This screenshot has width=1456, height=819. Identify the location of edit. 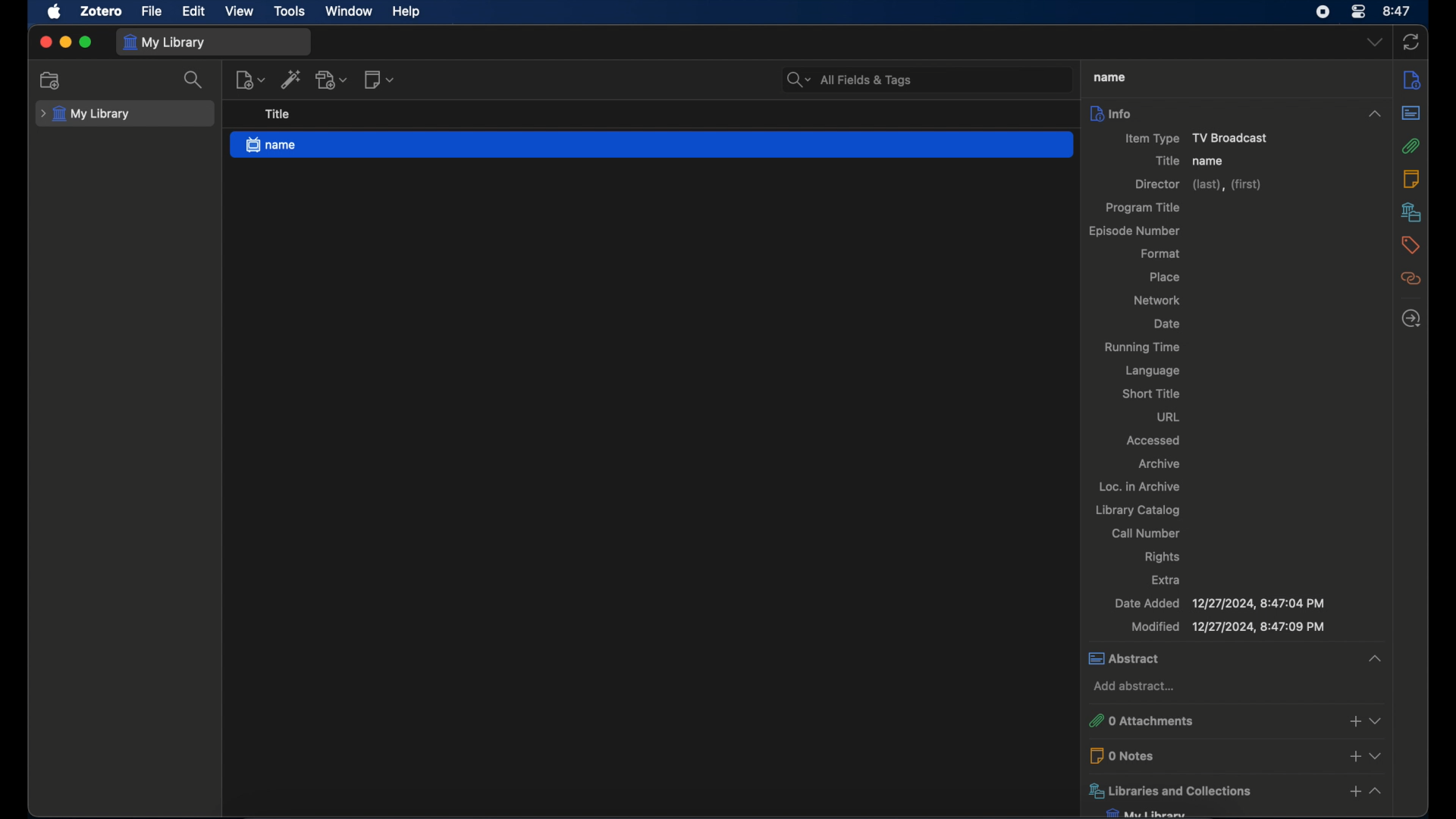
(195, 12).